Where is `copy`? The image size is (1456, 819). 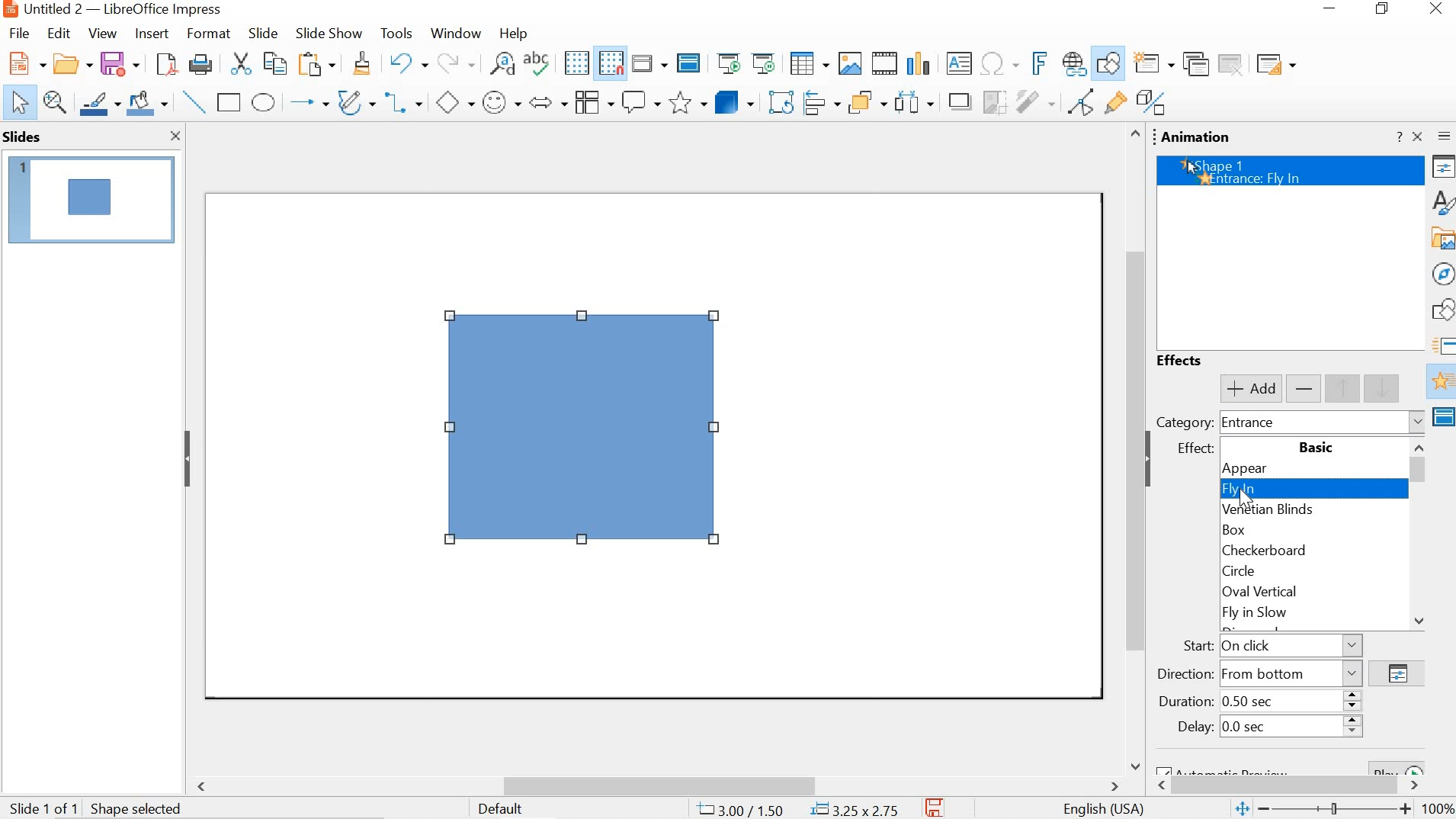
copy is located at coordinates (277, 63).